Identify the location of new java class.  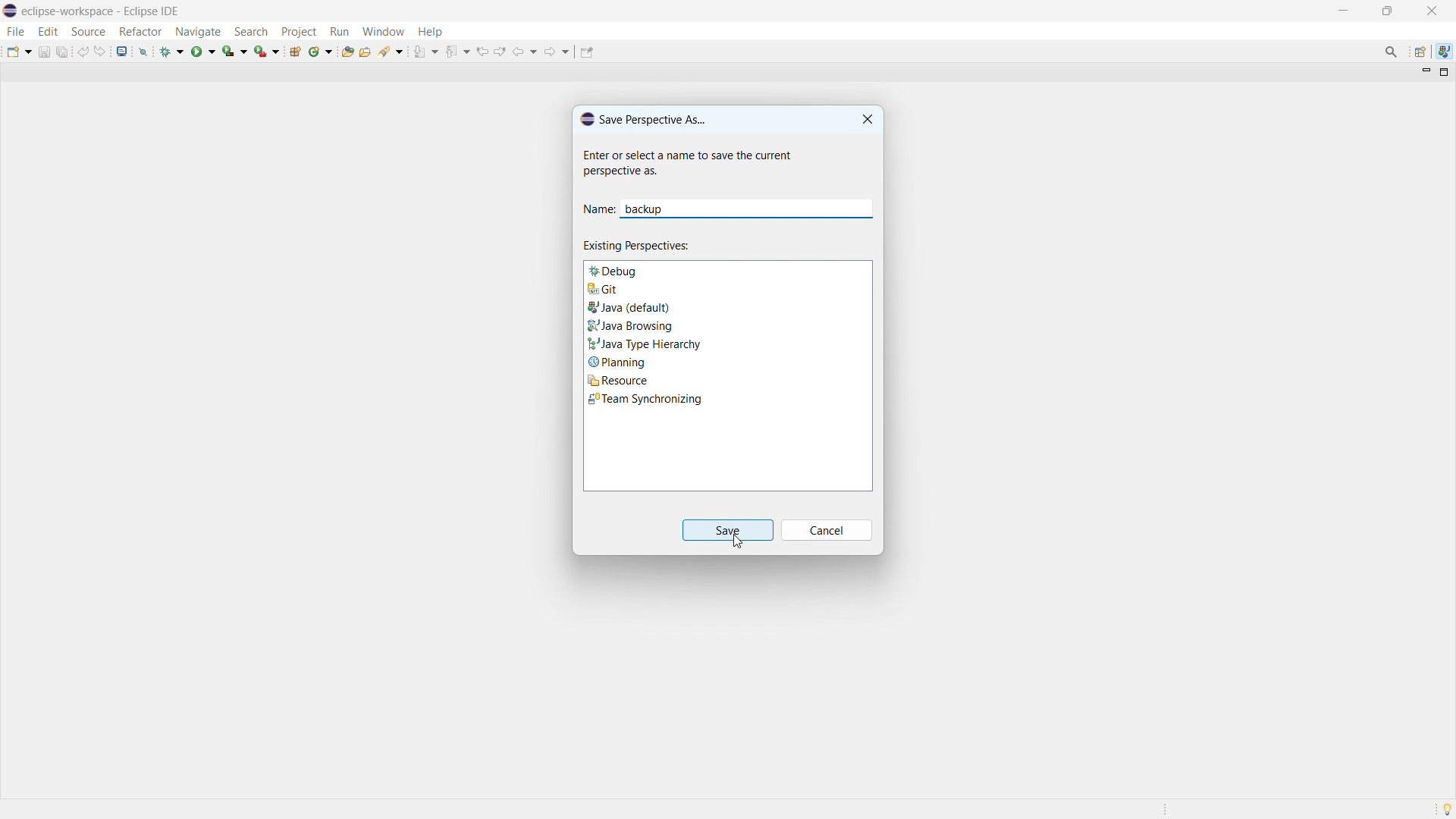
(322, 52).